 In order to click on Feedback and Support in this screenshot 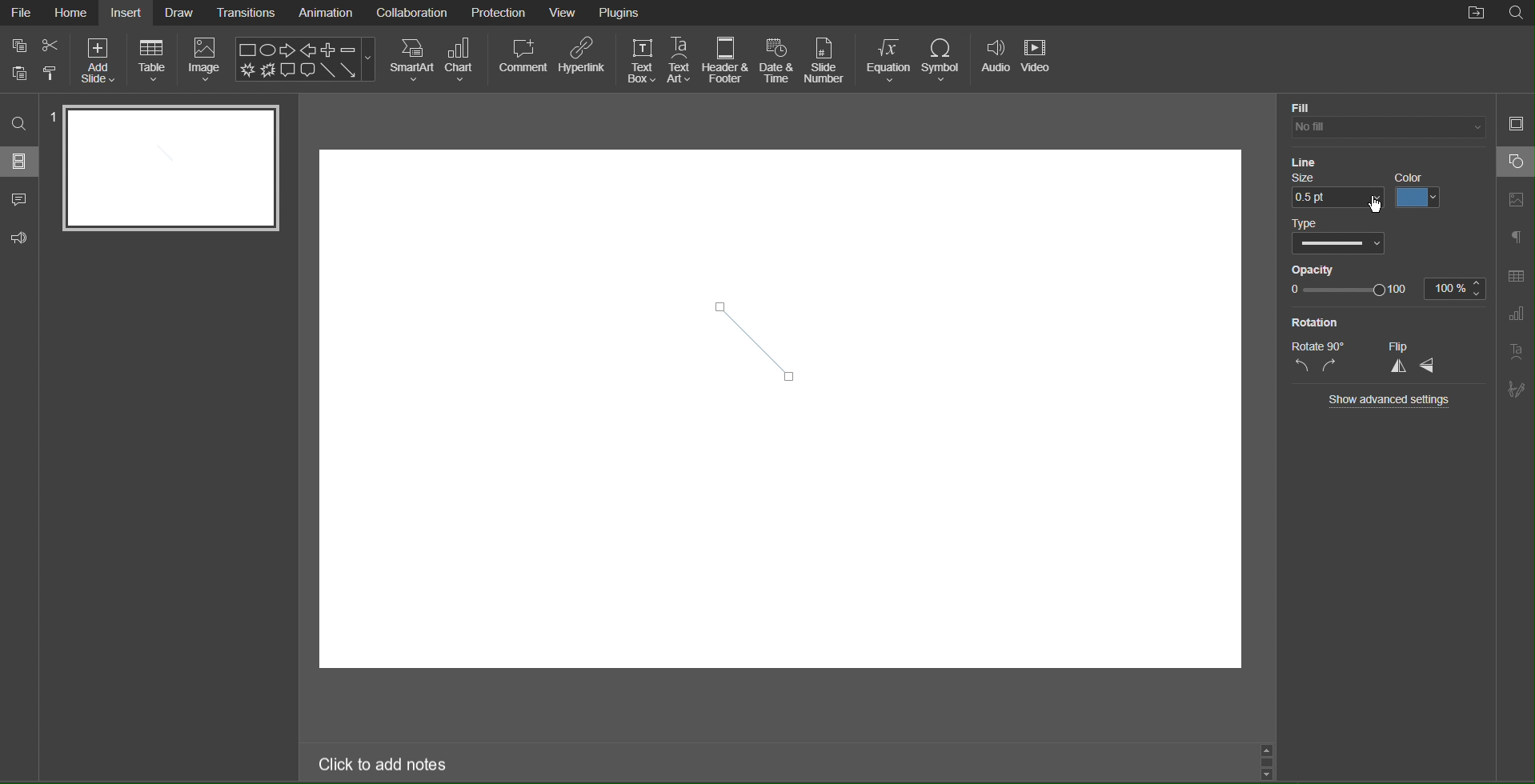, I will do `click(19, 238)`.